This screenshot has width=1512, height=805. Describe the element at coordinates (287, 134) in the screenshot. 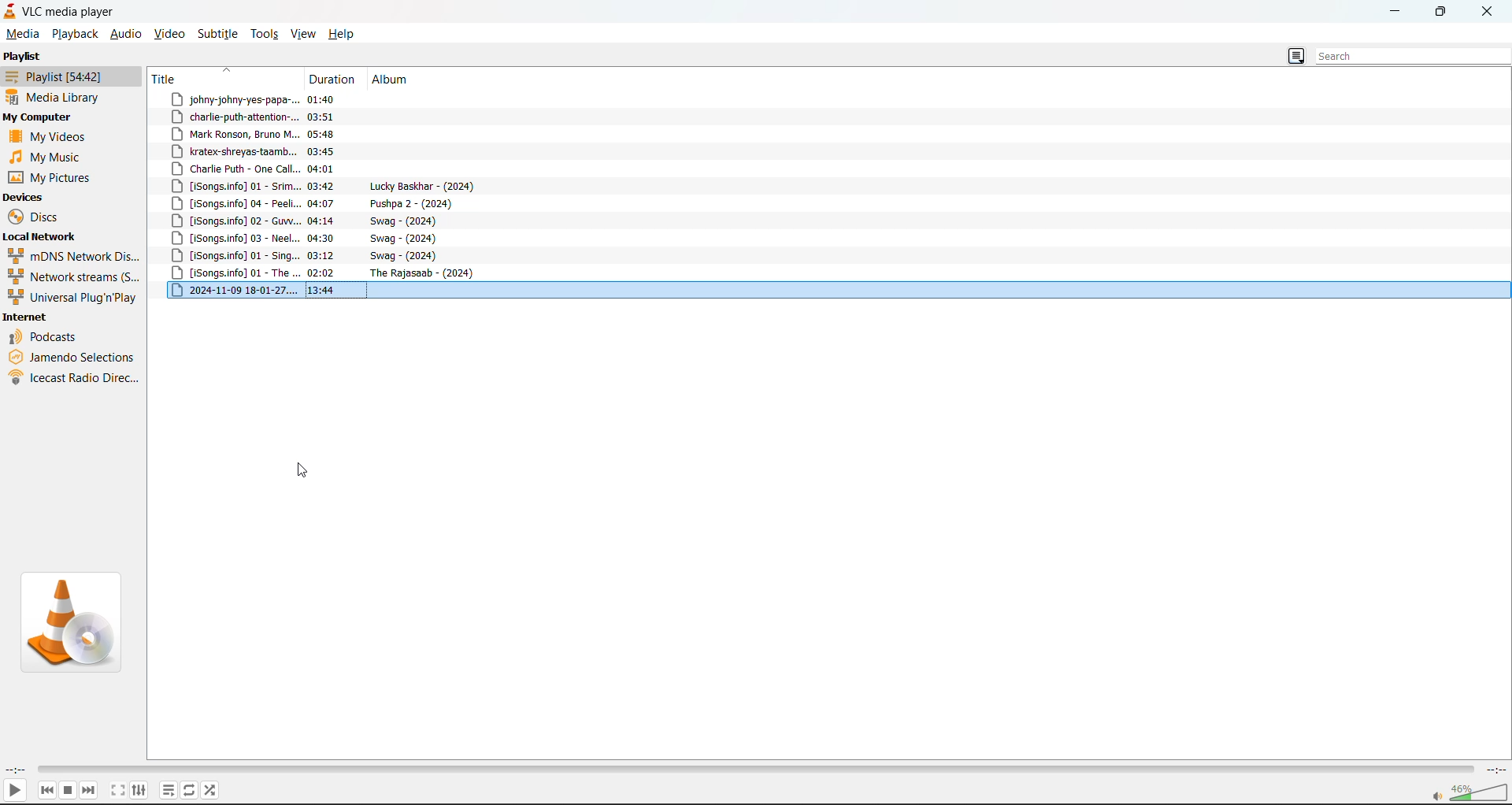

I see `track 3 title, duration and album details` at that location.